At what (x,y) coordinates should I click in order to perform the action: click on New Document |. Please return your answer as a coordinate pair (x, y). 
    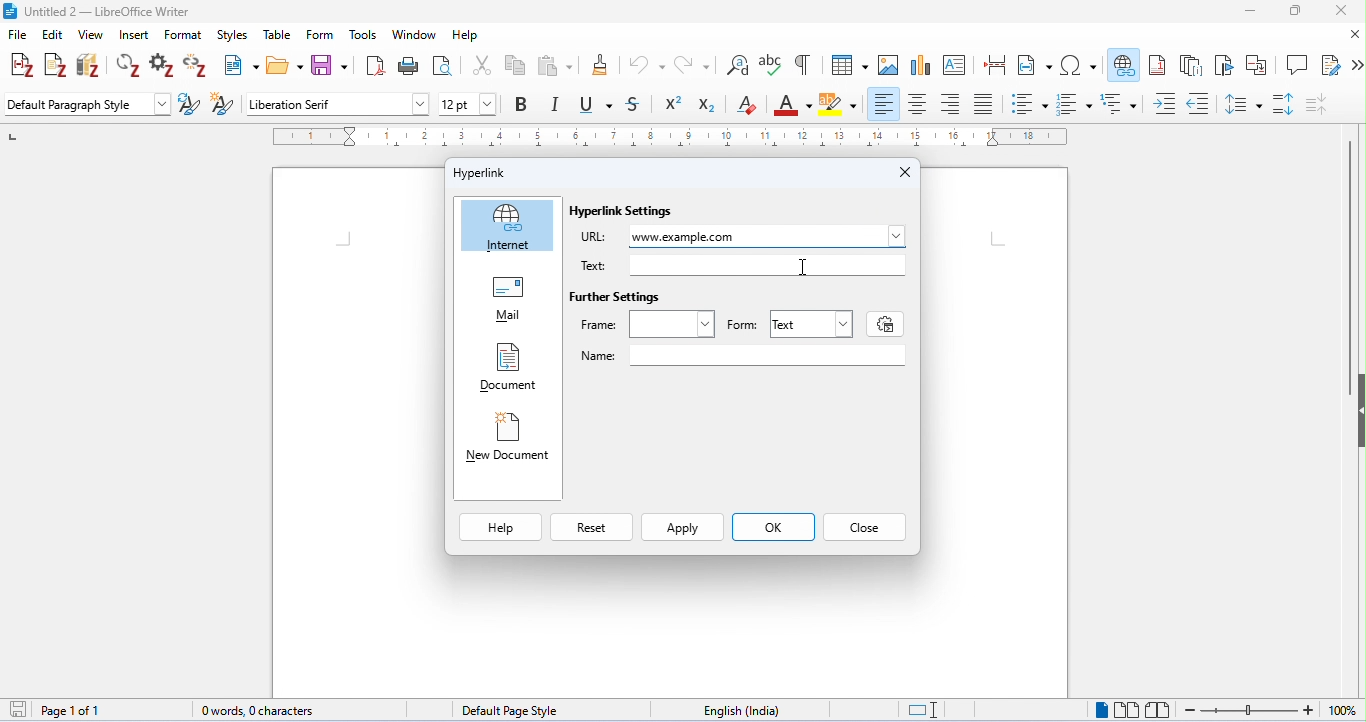
    Looking at the image, I should click on (510, 438).